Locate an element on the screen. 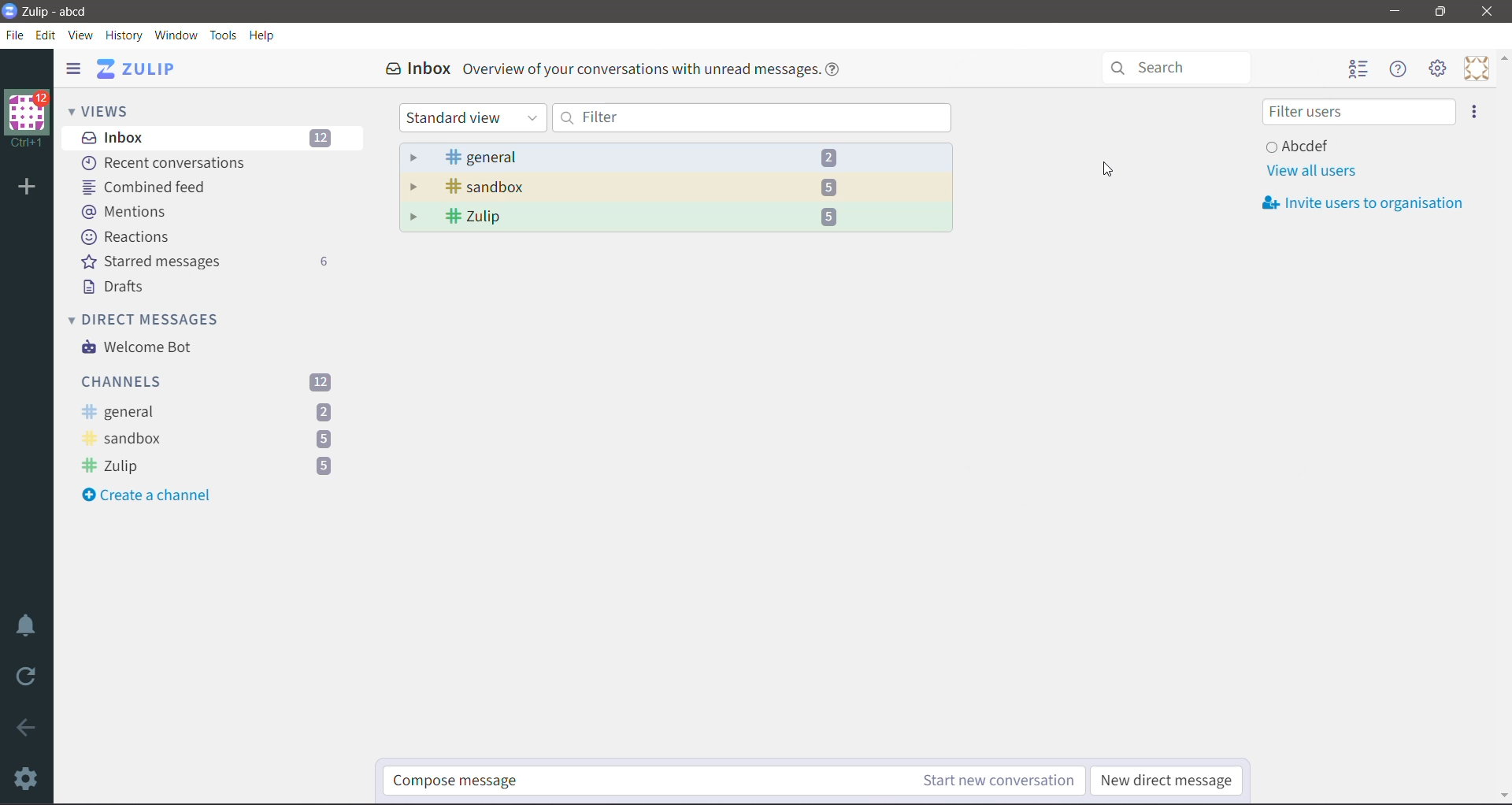 The image size is (1512, 805). Standard view is located at coordinates (471, 118).